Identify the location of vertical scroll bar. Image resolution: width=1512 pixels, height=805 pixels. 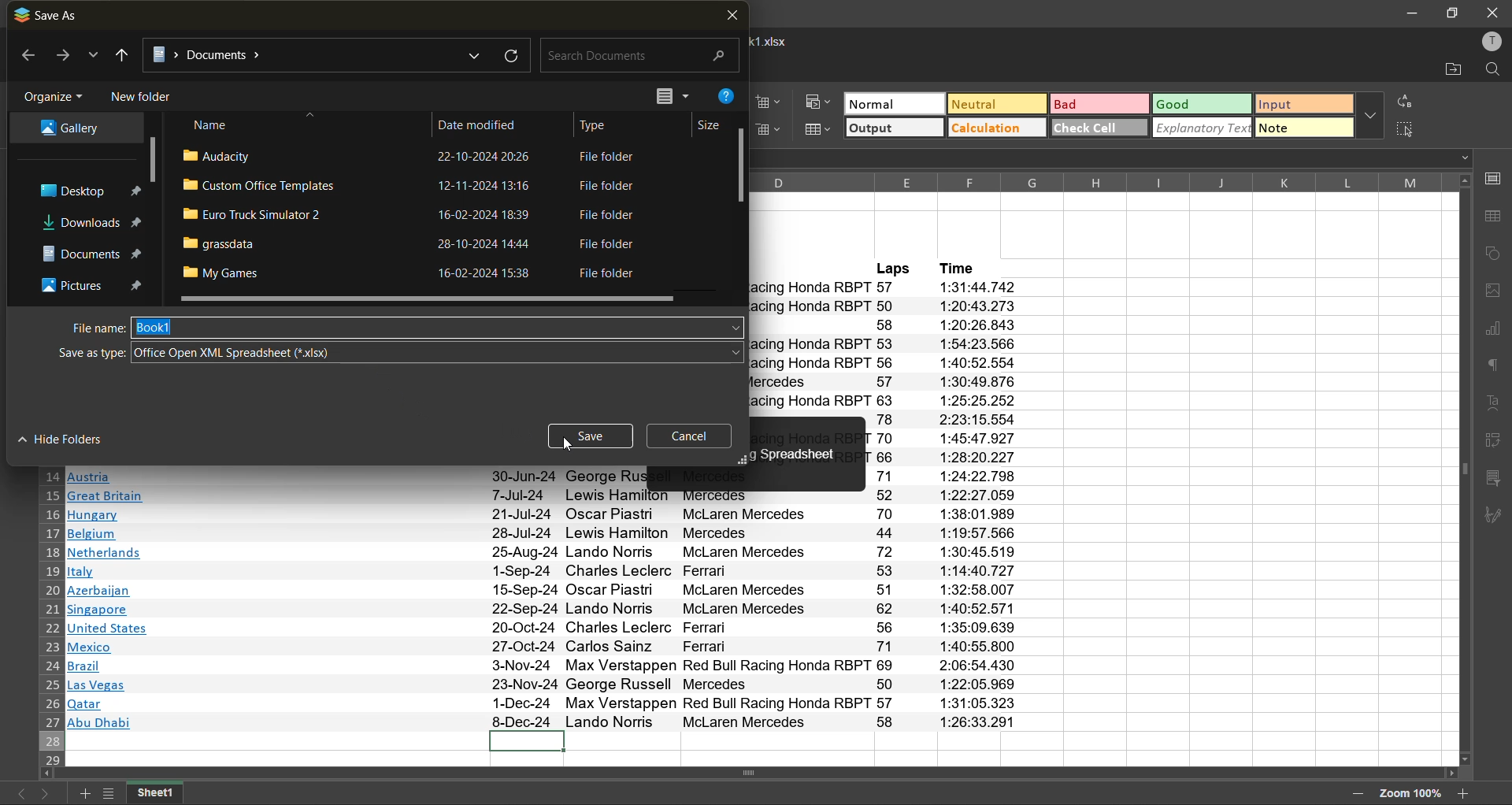
(150, 157).